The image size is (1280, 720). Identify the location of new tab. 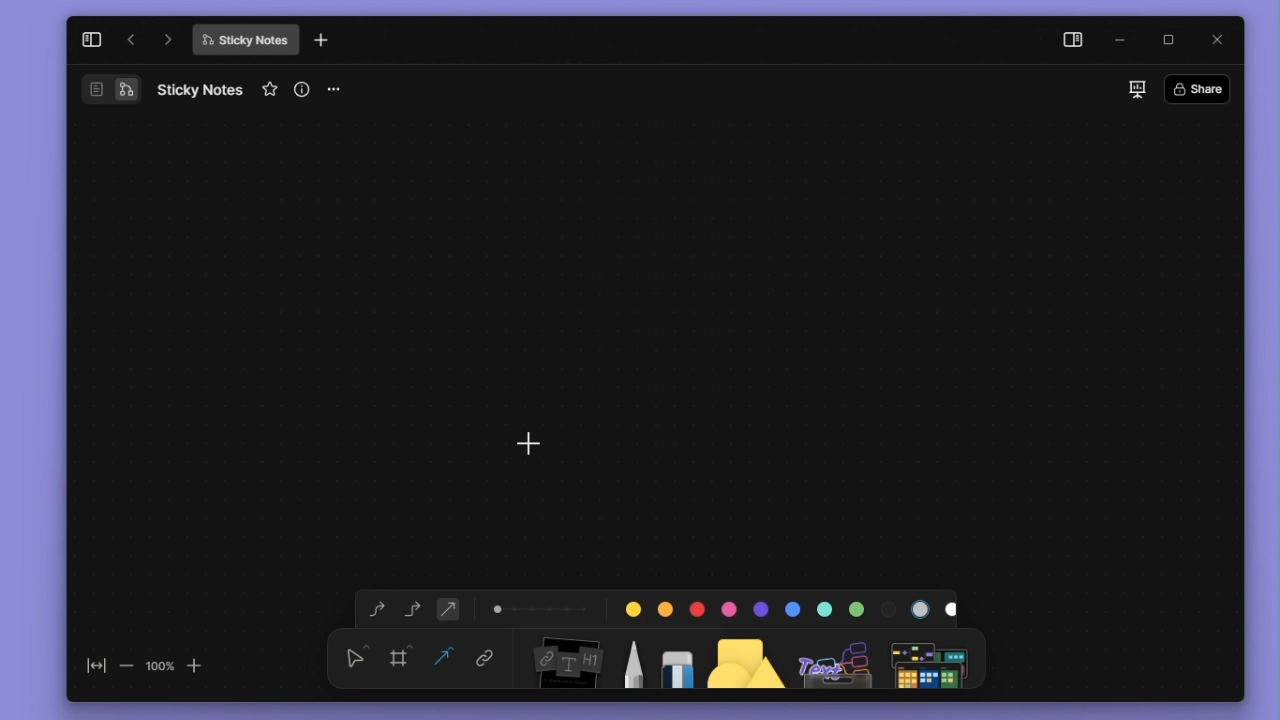
(321, 41).